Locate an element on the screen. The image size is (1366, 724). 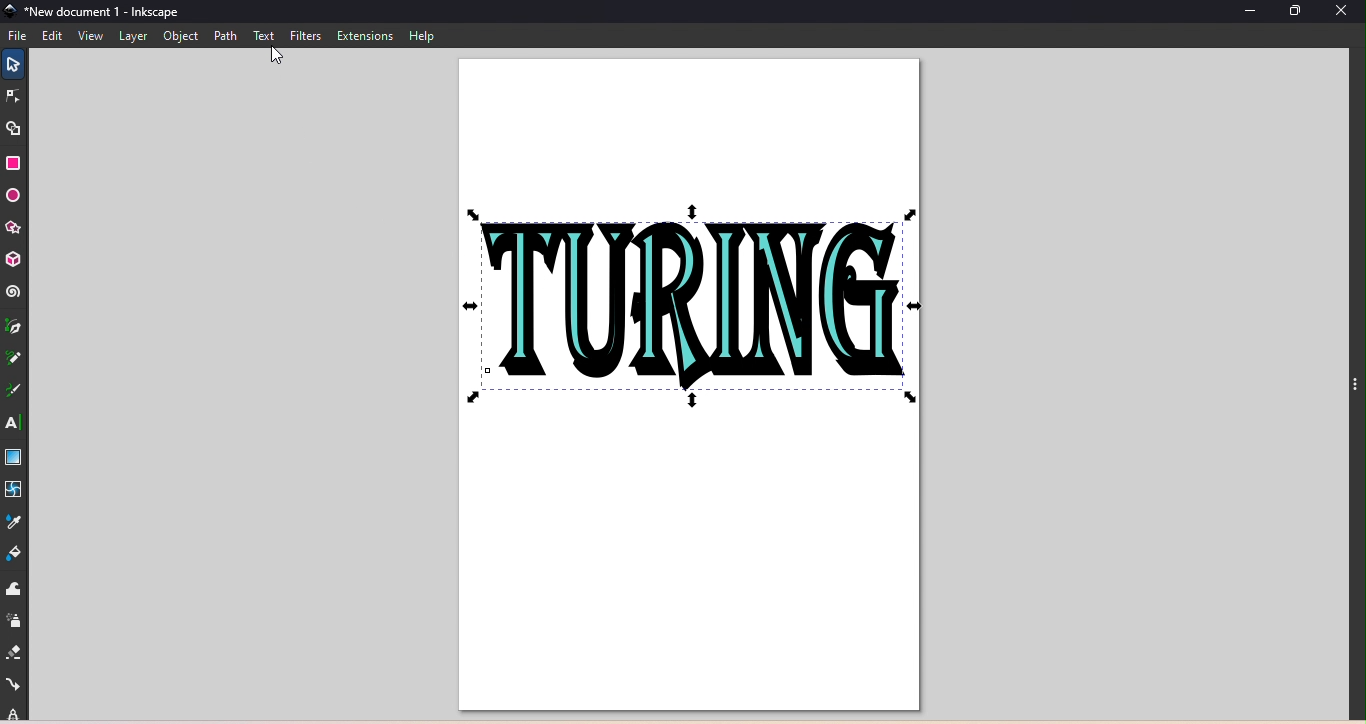
Text tool is located at coordinates (12, 422).